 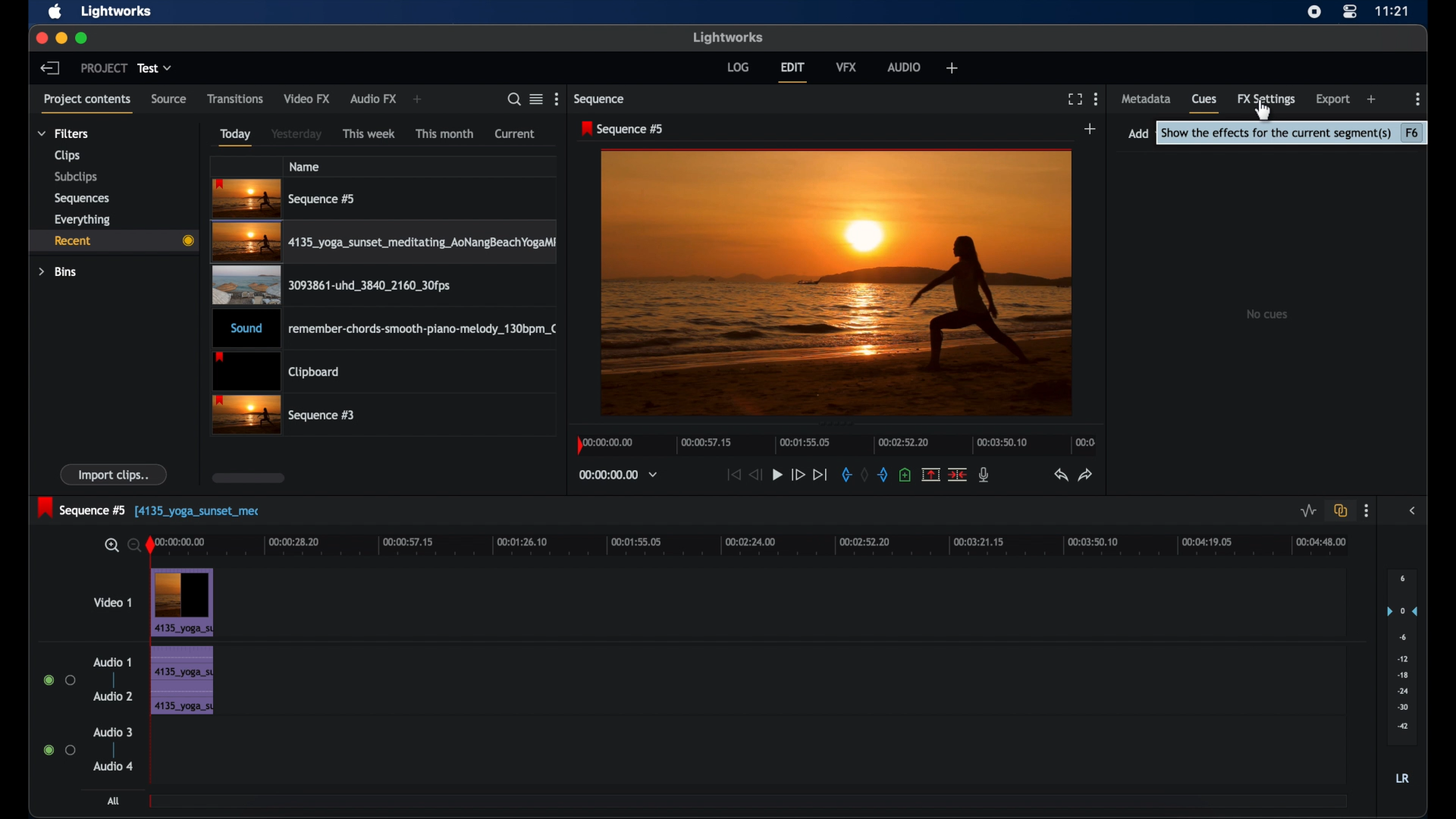 What do you see at coordinates (952, 67) in the screenshot?
I see `add` at bounding box center [952, 67].